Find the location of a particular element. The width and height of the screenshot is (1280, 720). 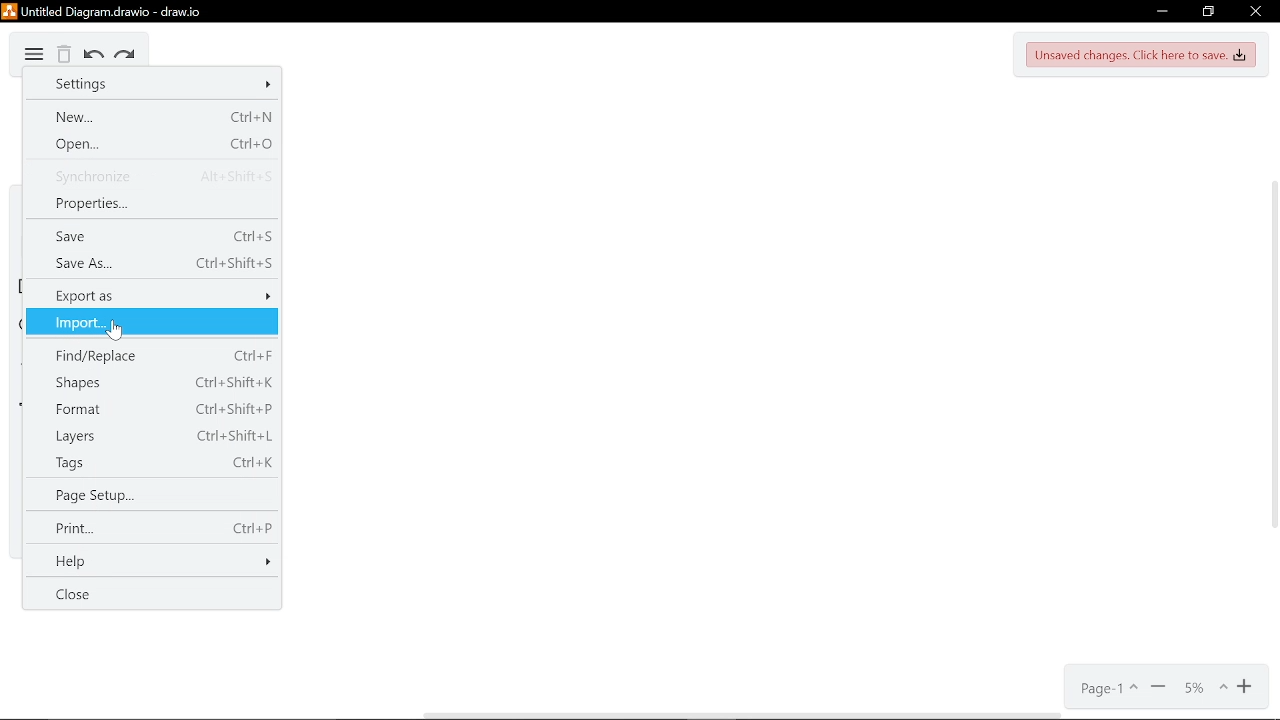

Restore down is located at coordinates (1208, 11).